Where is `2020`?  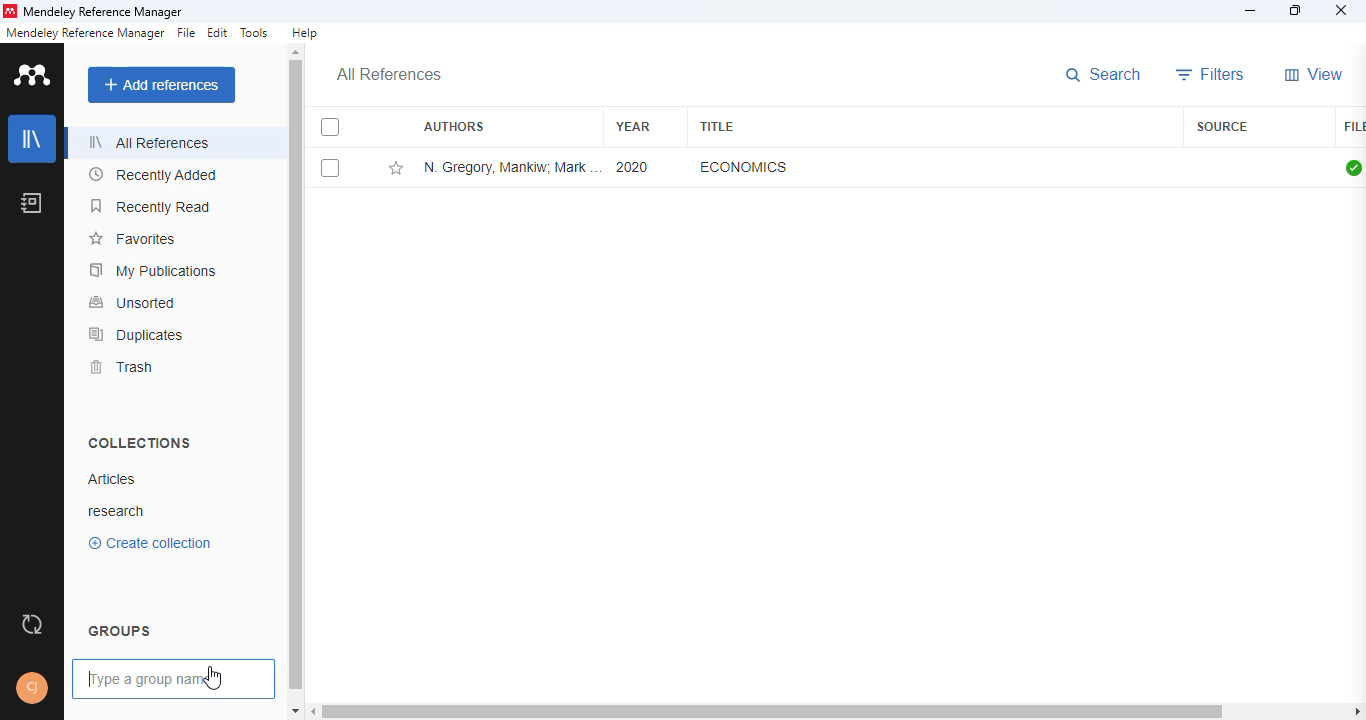 2020 is located at coordinates (633, 167).